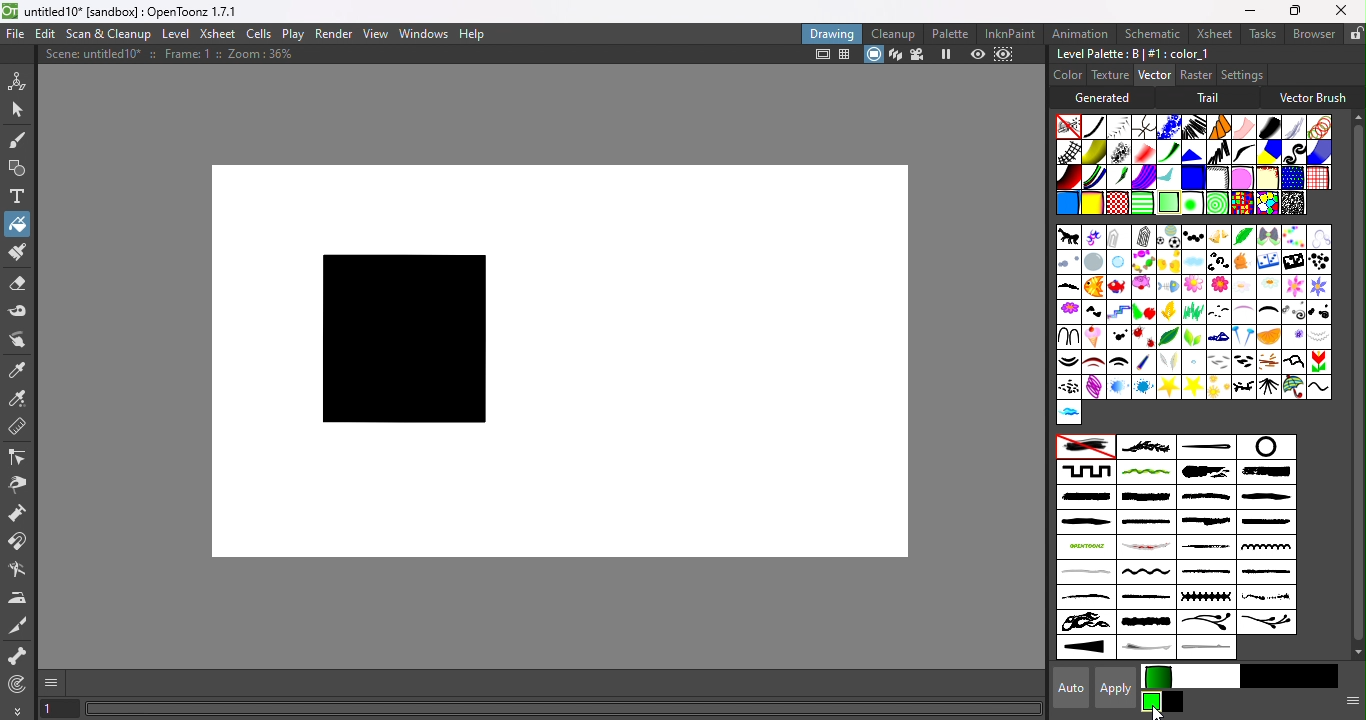  What do you see at coordinates (20, 543) in the screenshot?
I see `Magnet tool` at bounding box center [20, 543].